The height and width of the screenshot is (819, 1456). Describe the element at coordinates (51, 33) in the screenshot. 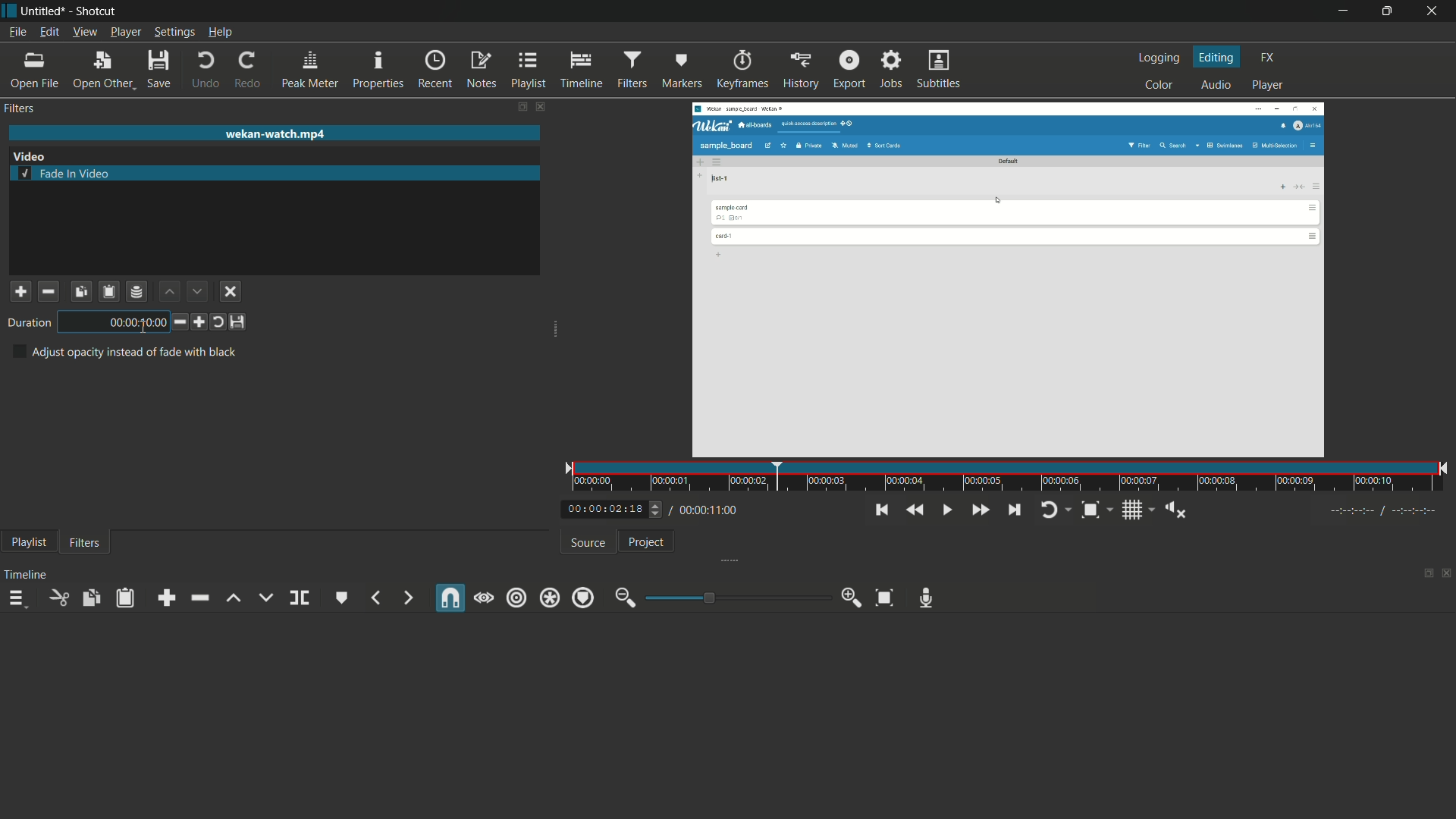

I see `edit menu` at that location.